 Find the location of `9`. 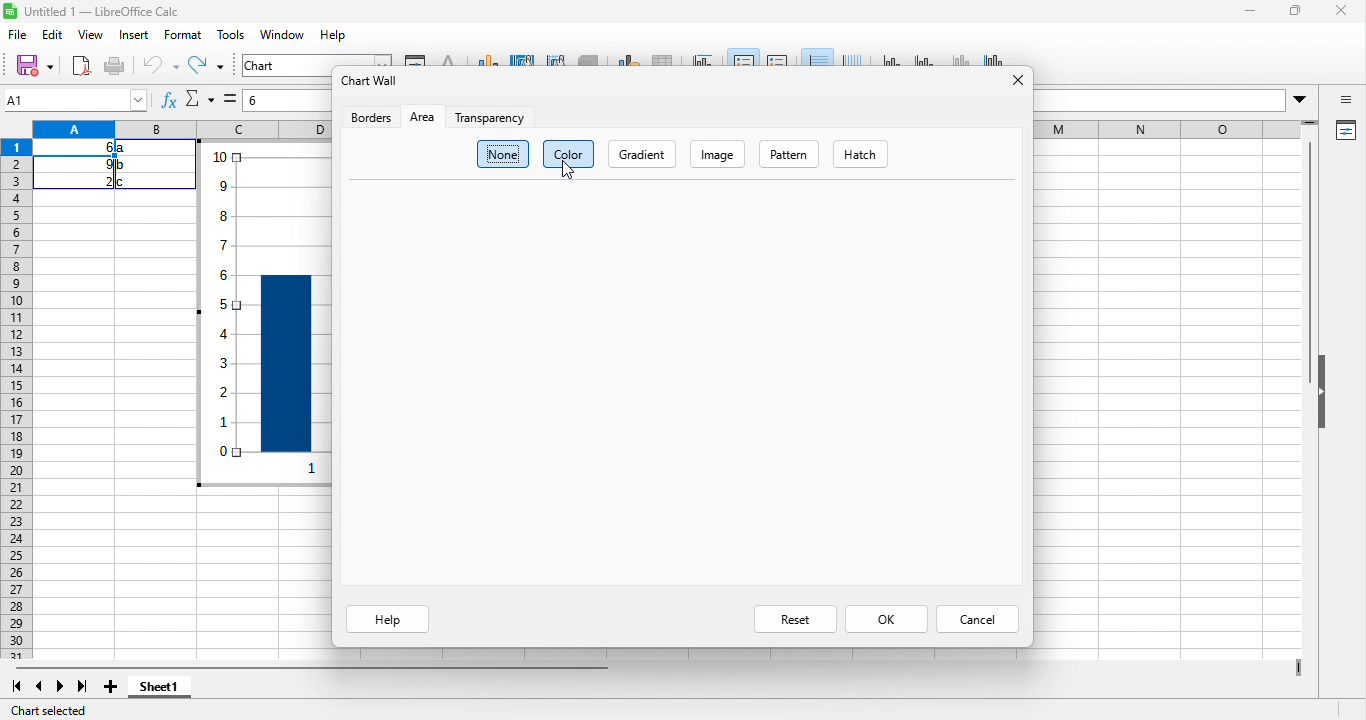

9 is located at coordinates (104, 165).